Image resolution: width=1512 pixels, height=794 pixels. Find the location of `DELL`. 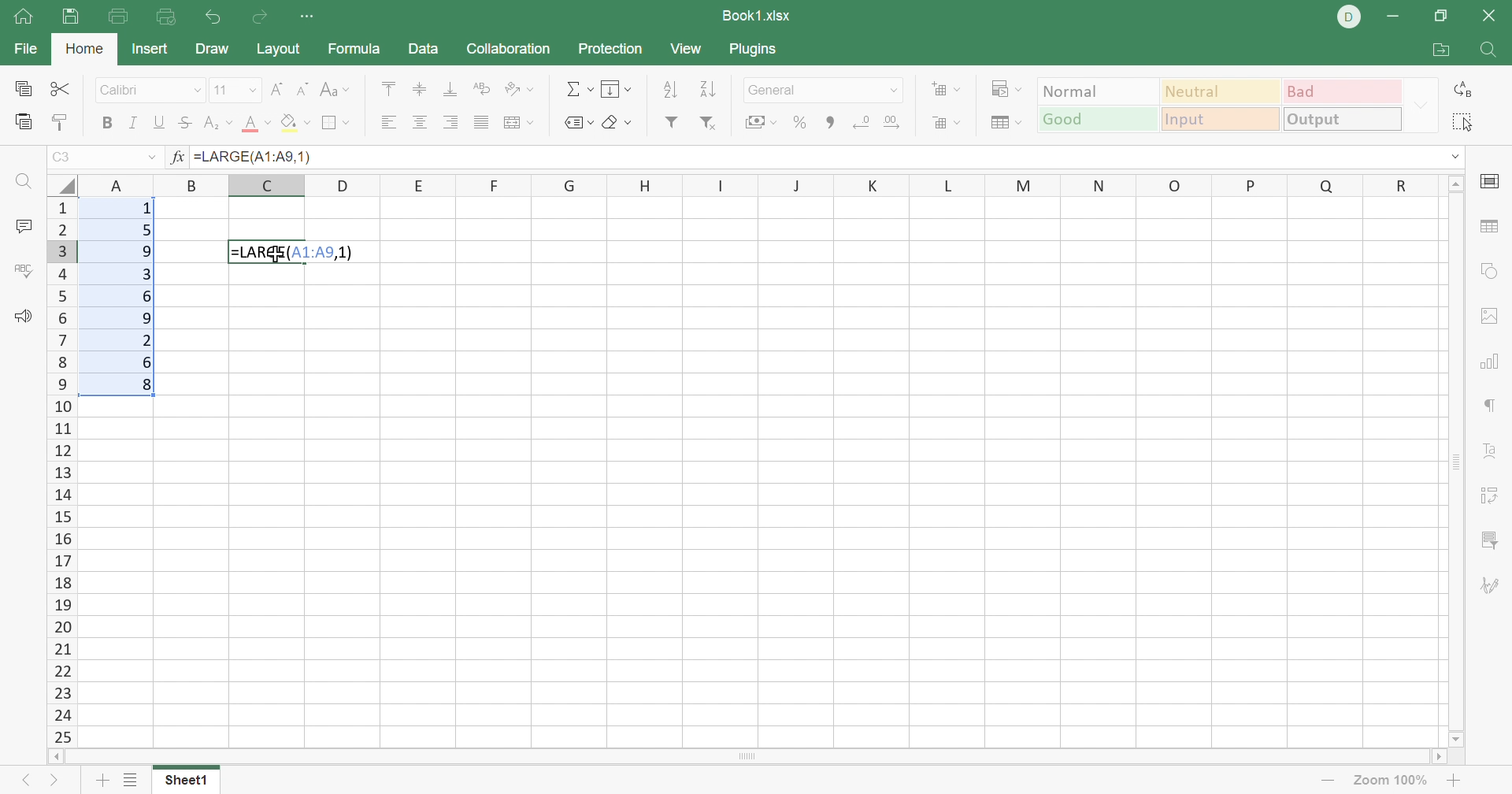

DELL is located at coordinates (1350, 17).